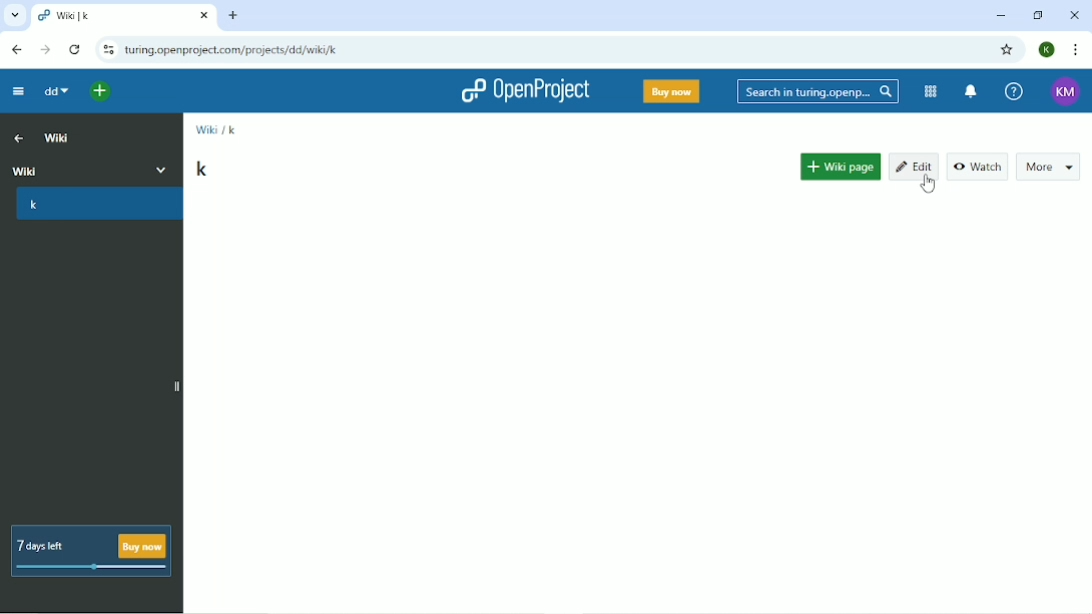 The height and width of the screenshot is (614, 1092). Describe the element at coordinates (92, 168) in the screenshot. I see `Wiki` at that location.